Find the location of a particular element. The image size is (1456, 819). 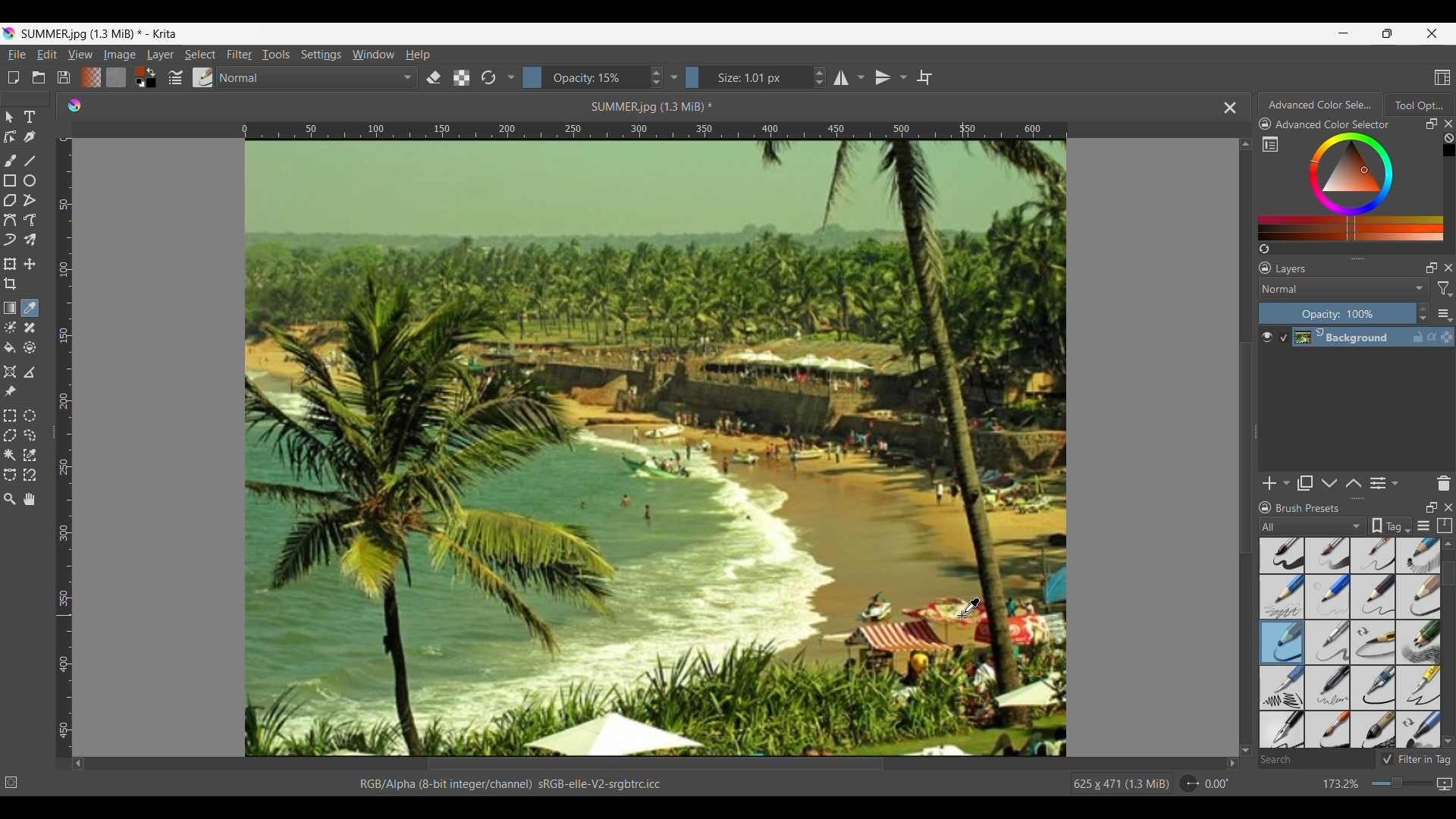

Lock is located at coordinates (1266, 508).